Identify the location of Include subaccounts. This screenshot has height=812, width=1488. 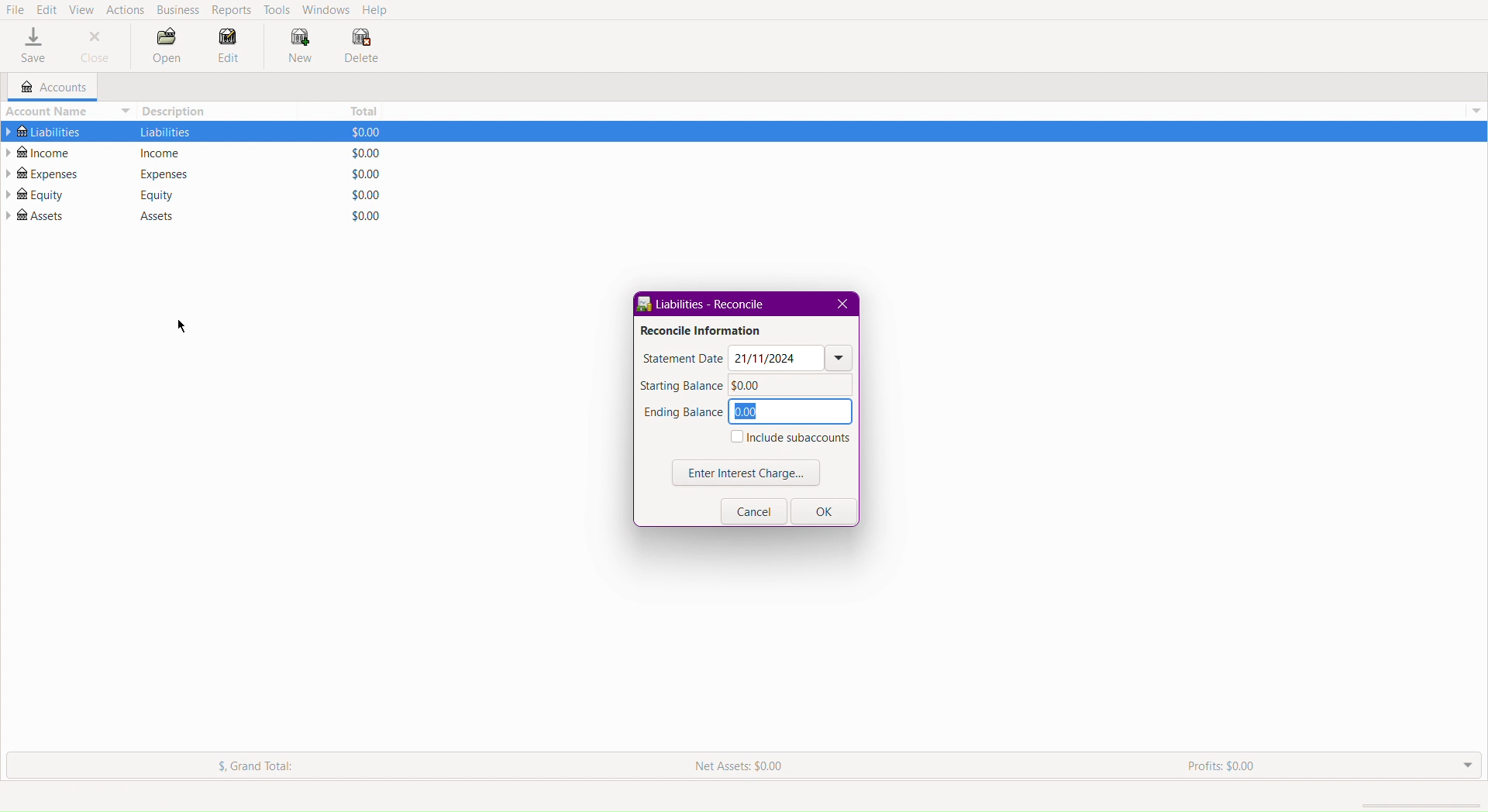
(791, 437).